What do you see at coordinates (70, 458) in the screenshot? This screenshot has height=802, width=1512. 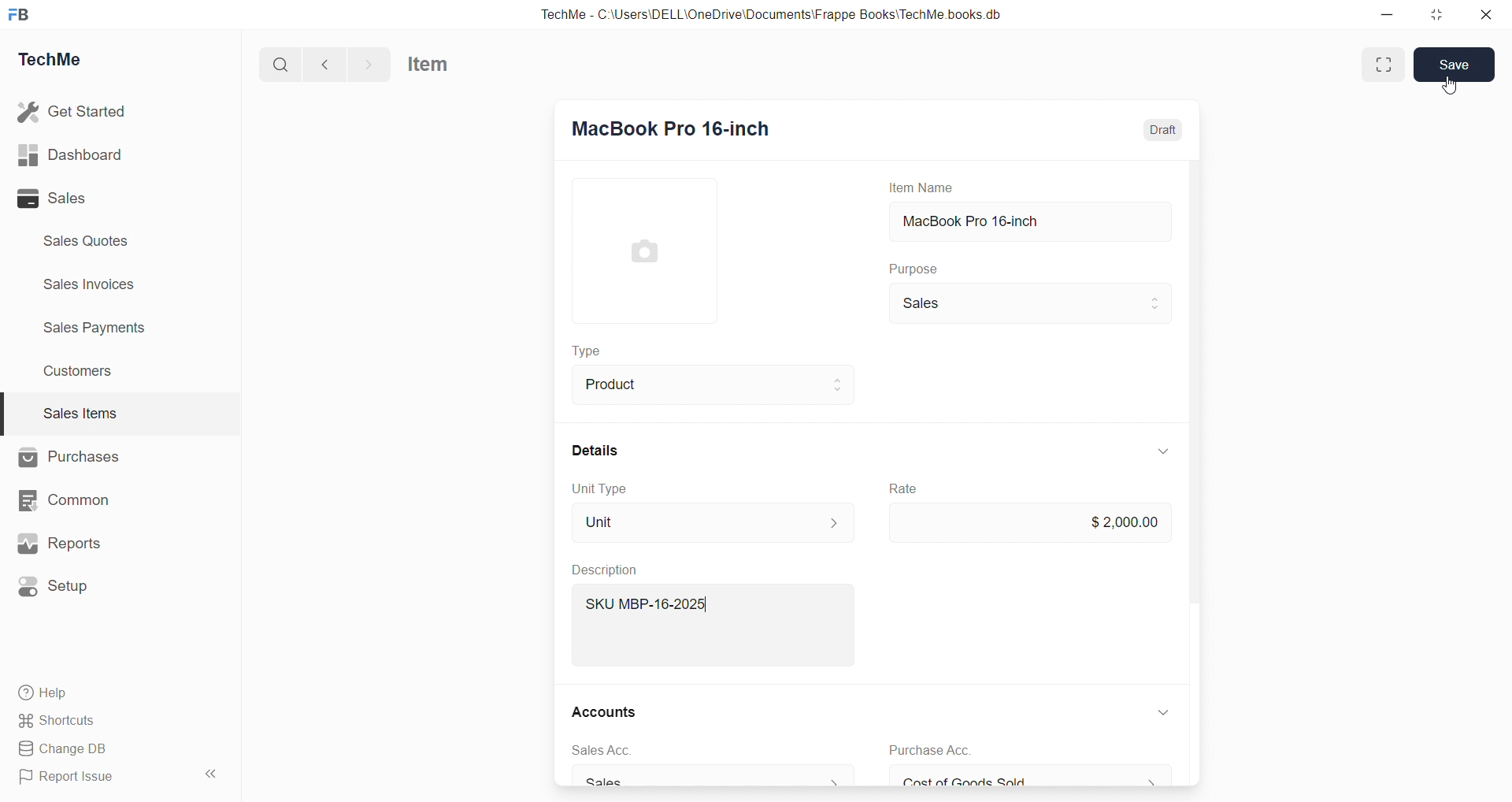 I see `Purchases` at bounding box center [70, 458].